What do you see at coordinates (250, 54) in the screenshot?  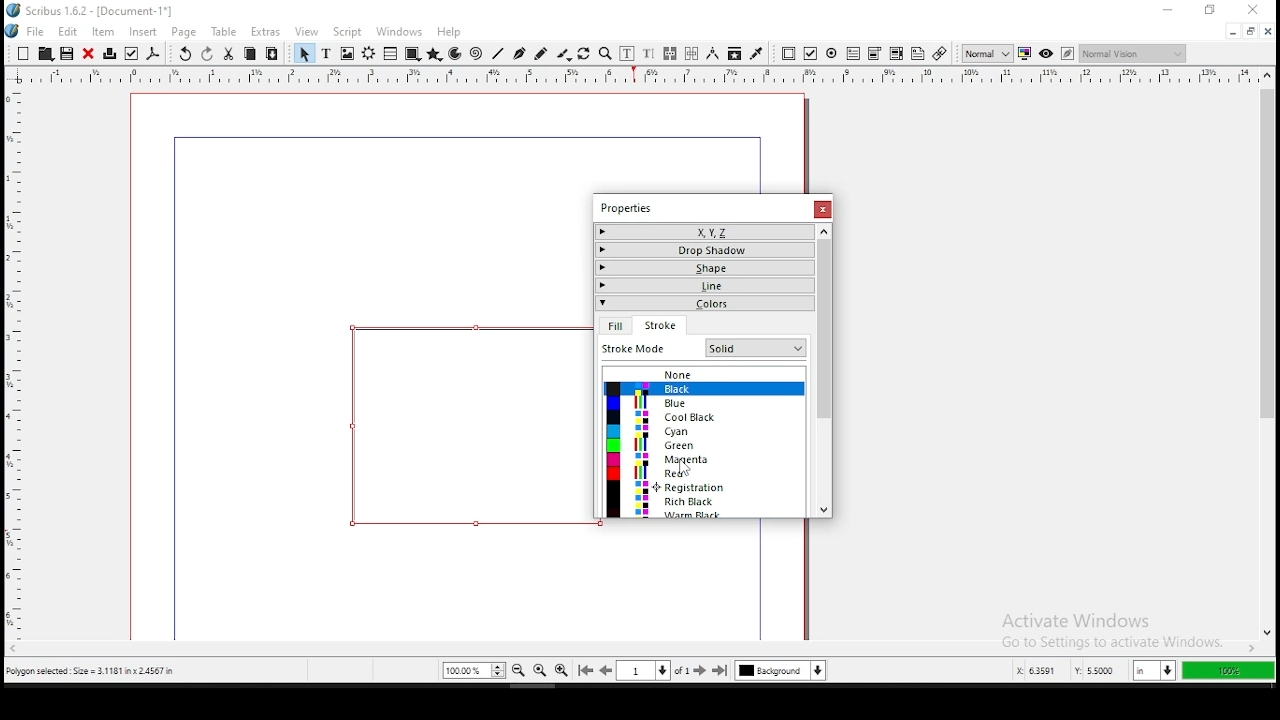 I see `copy` at bounding box center [250, 54].